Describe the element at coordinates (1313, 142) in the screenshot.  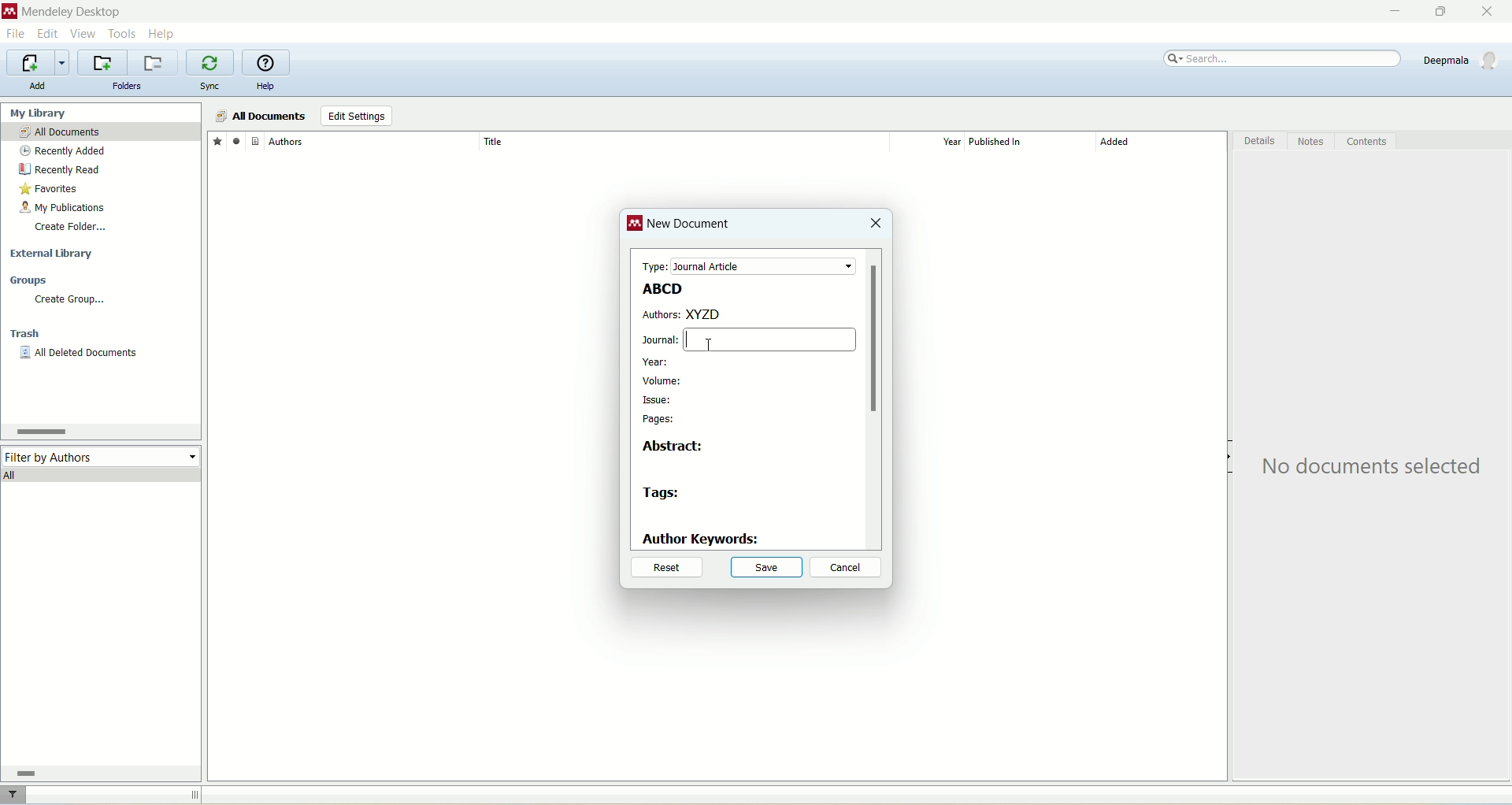
I see `notes` at that location.